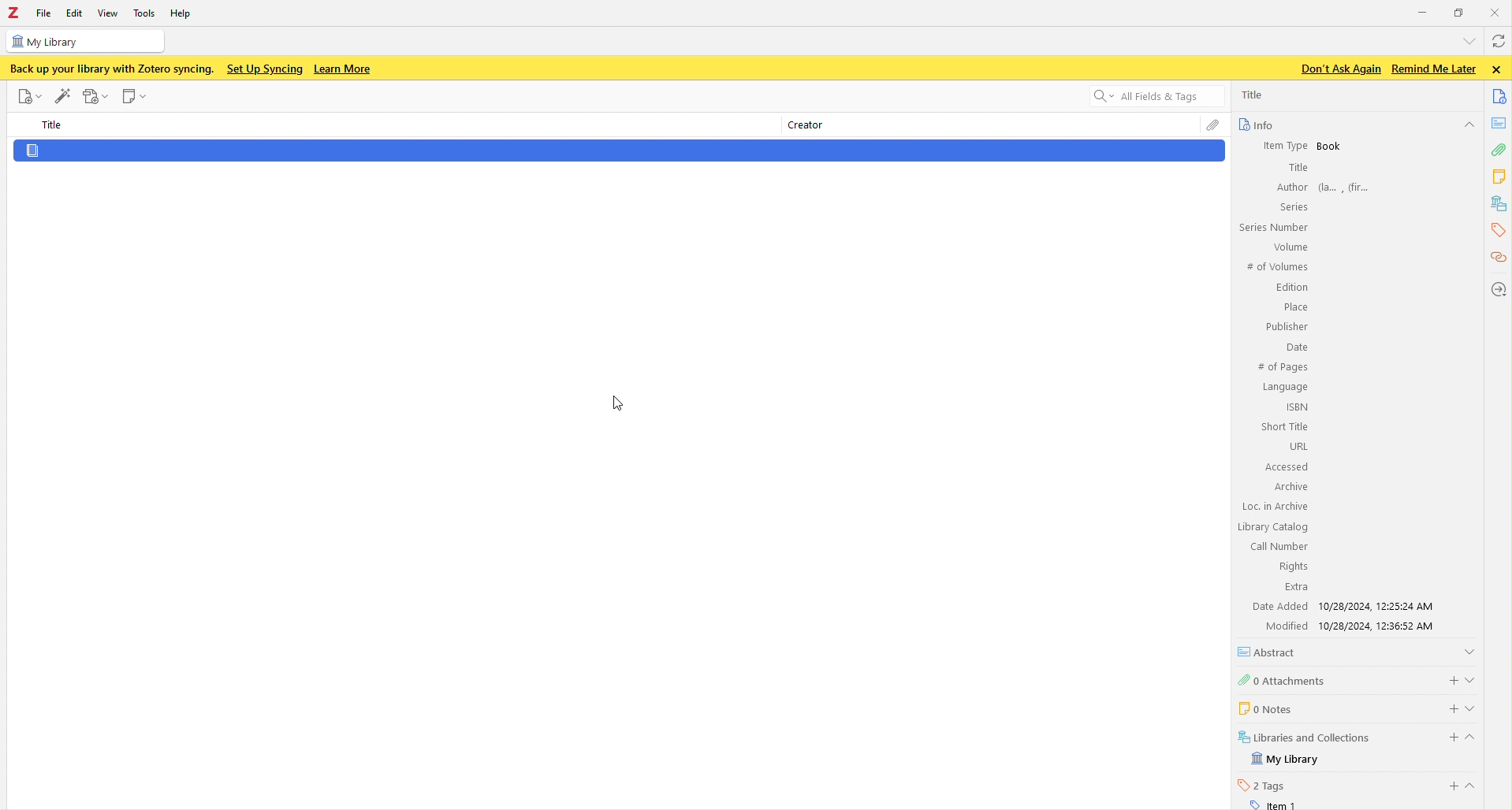 The image size is (1512, 810). Describe the element at coordinates (1336, 69) in the screenshot. I see `Don’t Ask Again` at that location.